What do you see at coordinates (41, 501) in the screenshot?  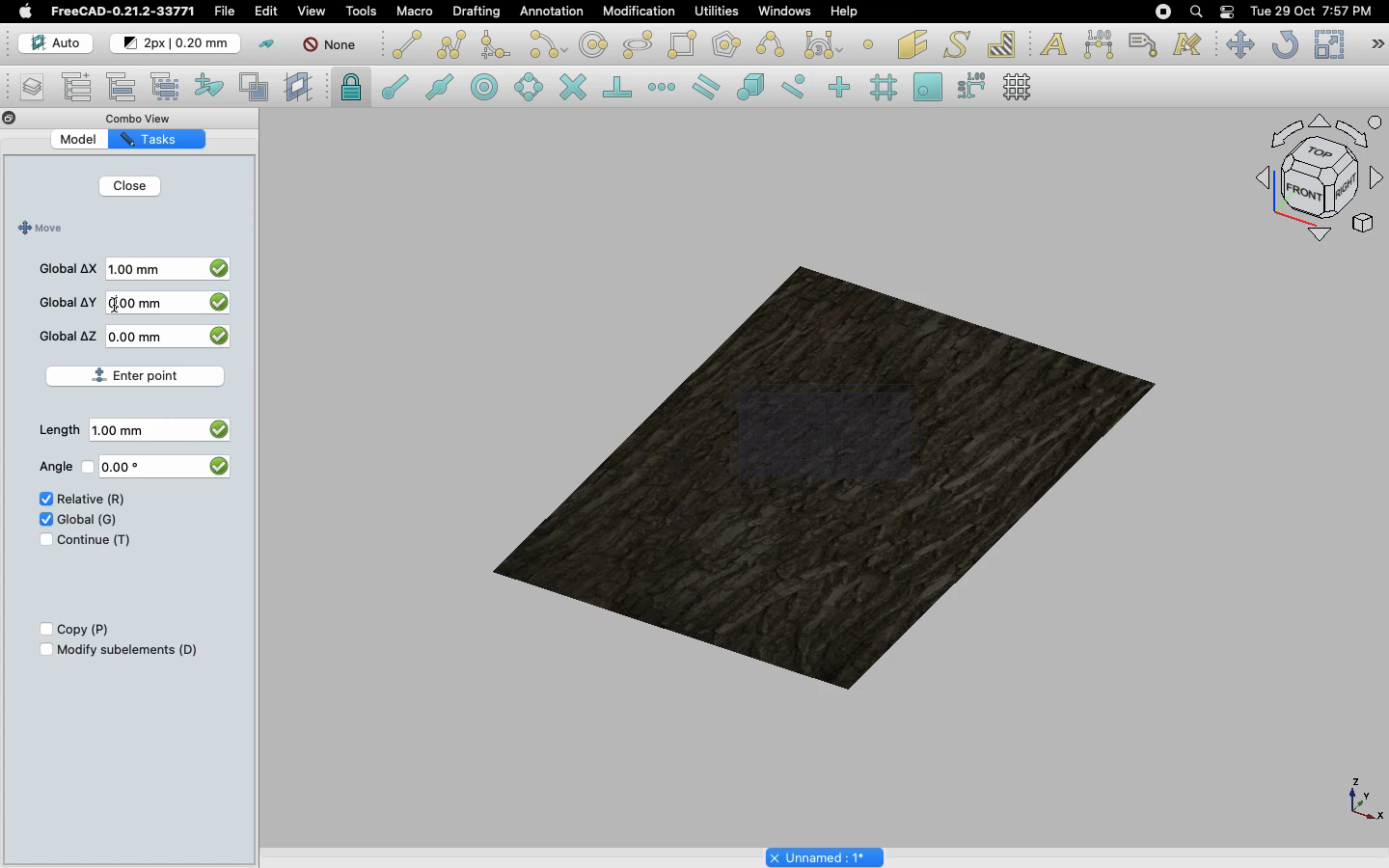 I see `Check` at bounding box center [41, 501].